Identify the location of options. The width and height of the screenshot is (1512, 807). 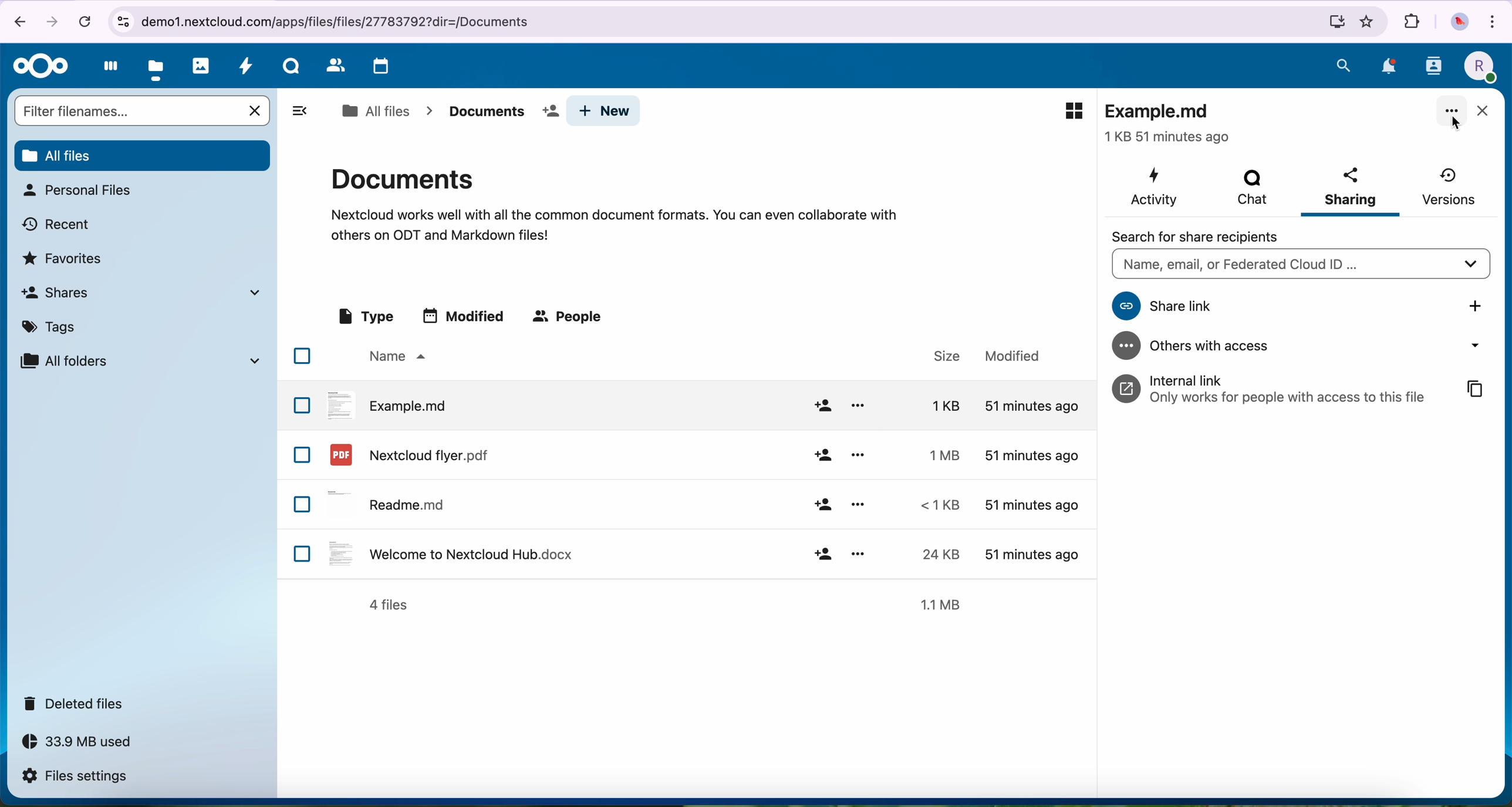
(858, 406).